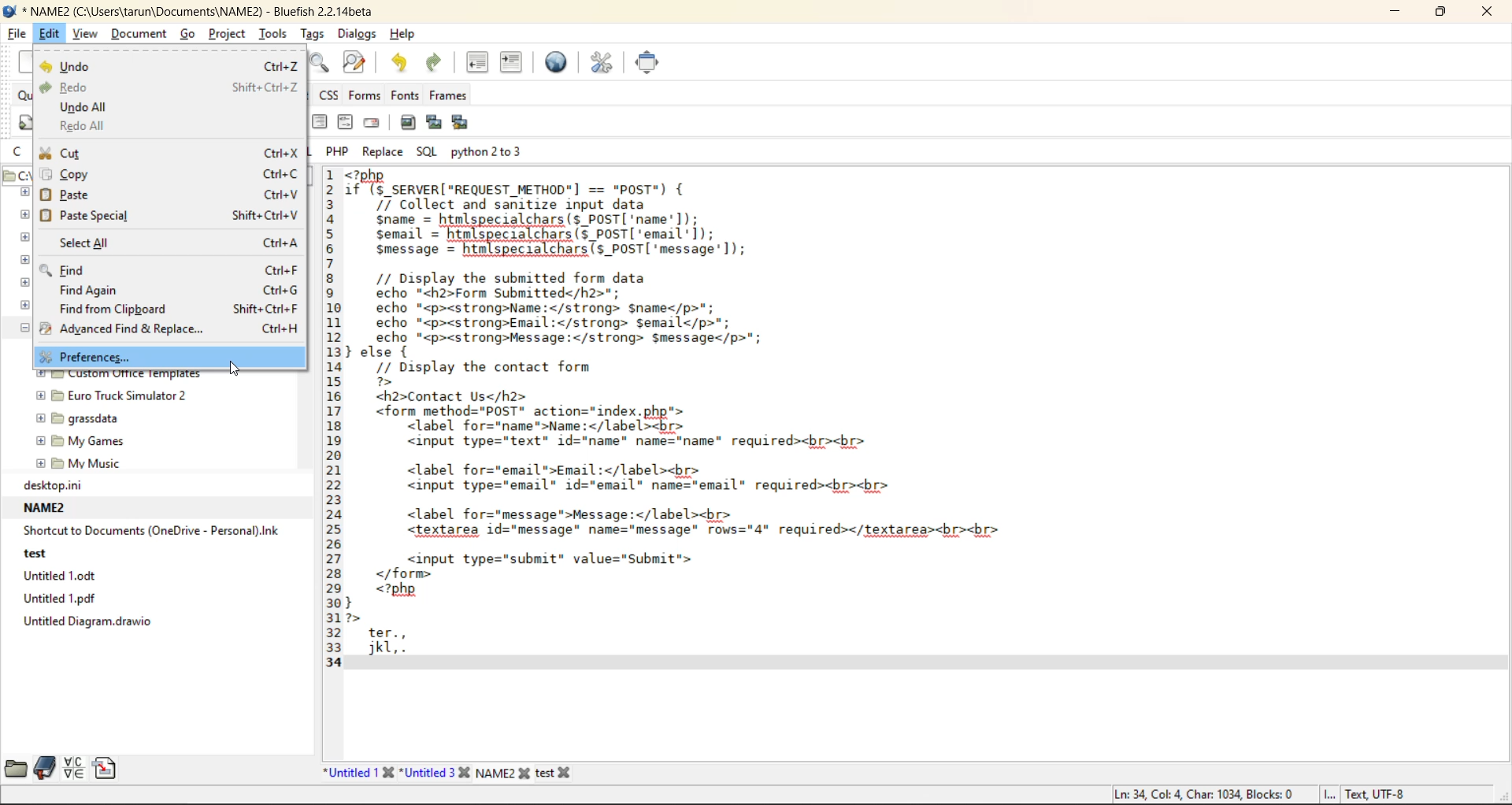 The image size is (1512, 805). I want to click on file names, so click(454, 770).